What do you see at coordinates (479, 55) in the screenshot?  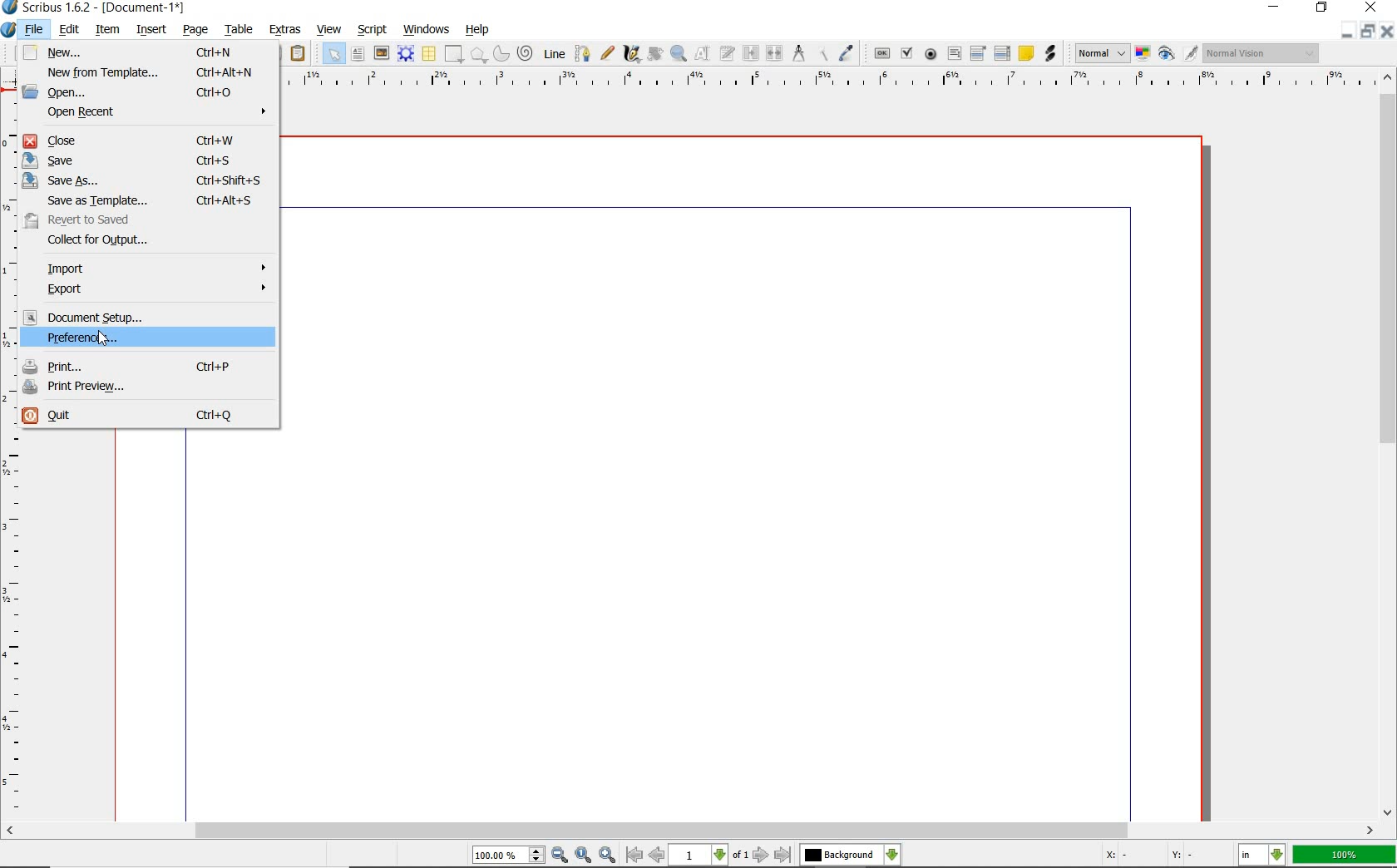 I see `polygon` at bounding box center [479, 55].